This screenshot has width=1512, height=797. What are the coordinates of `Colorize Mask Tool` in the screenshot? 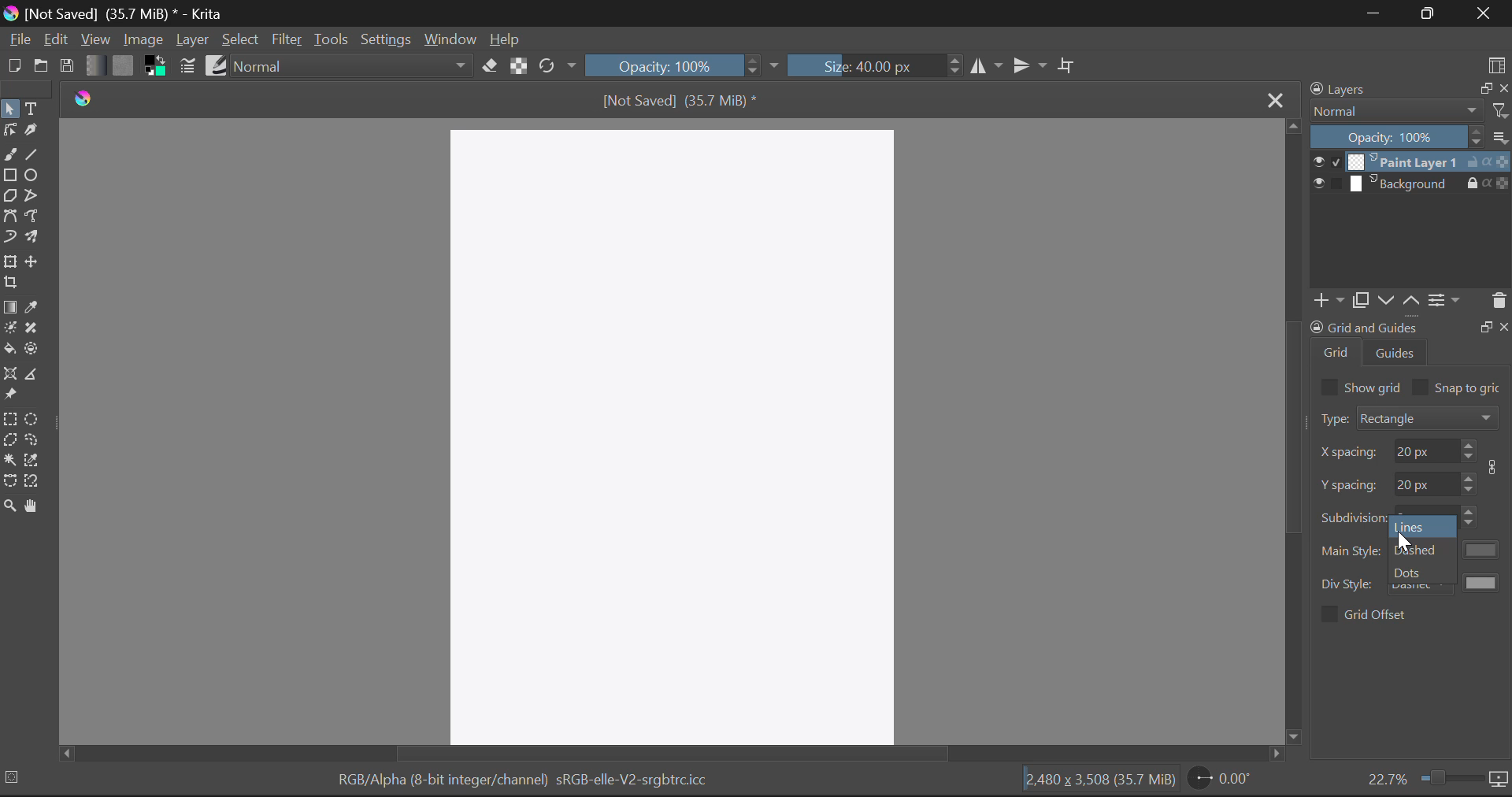 It's located at (9, 331).